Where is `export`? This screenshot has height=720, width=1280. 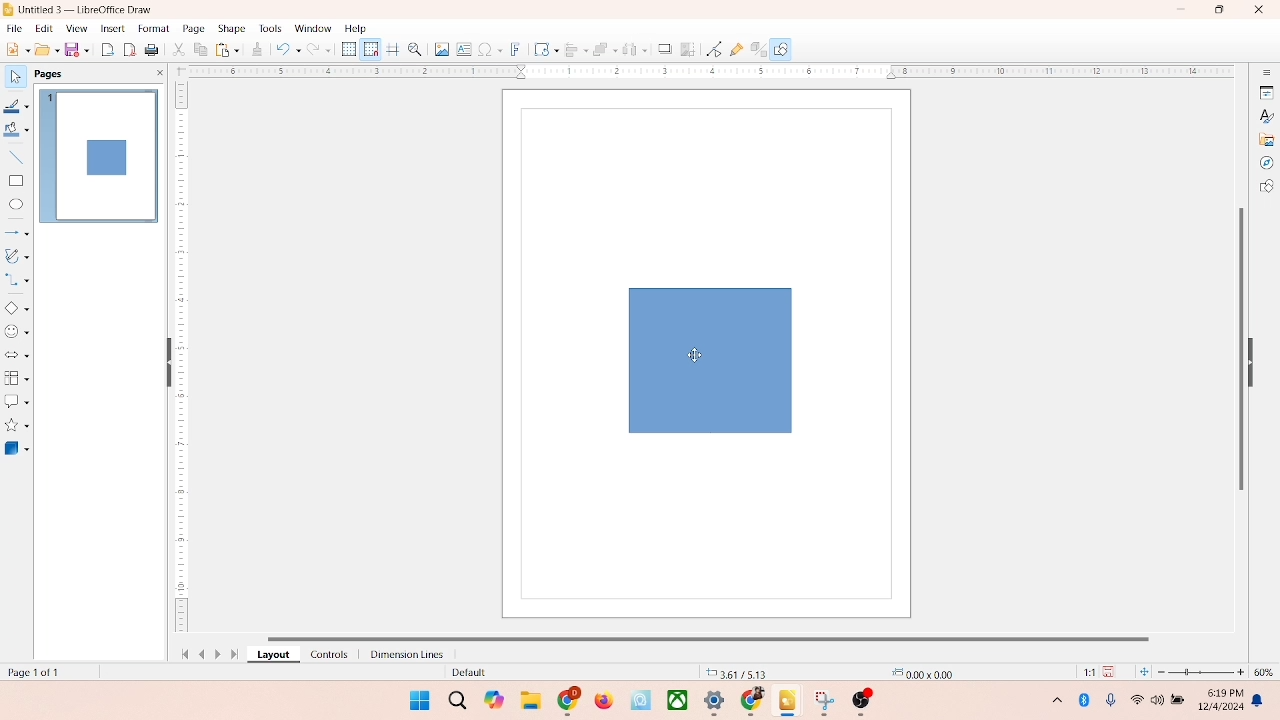
export is located at coordinates (110, 48).